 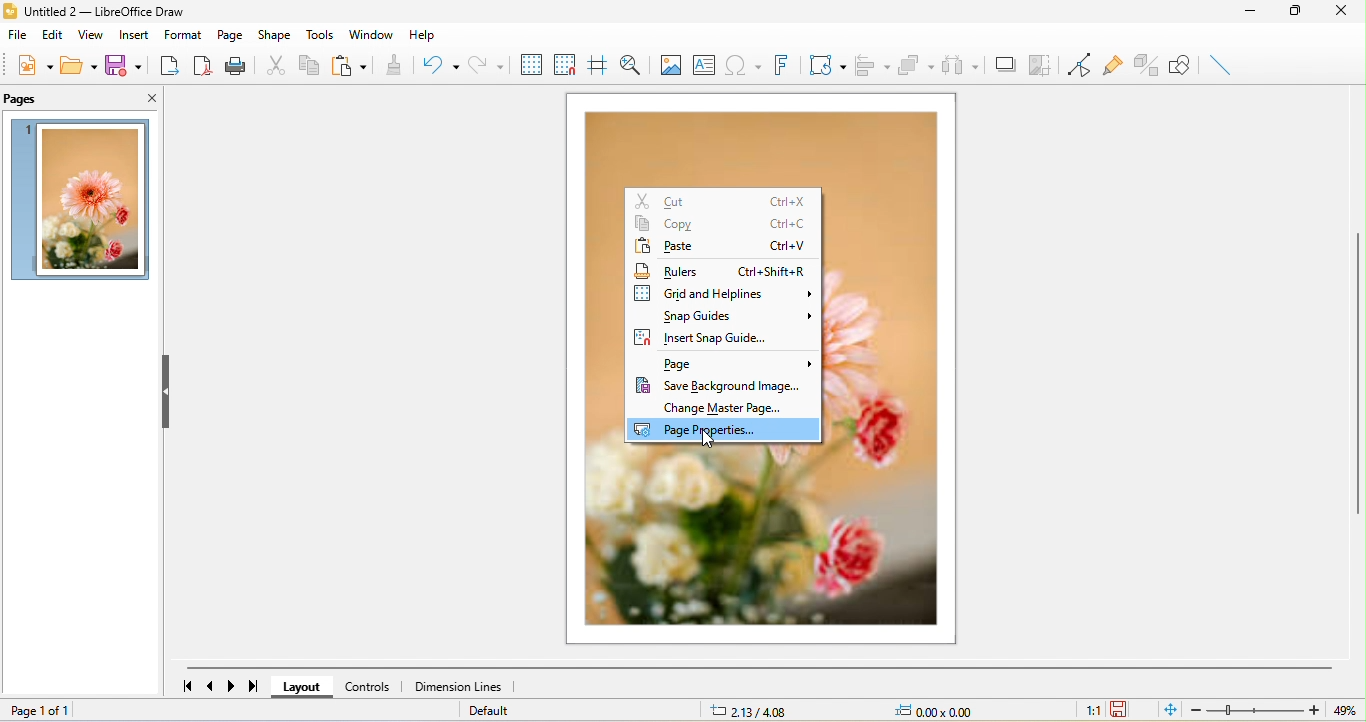 What do you see at coordinates (1221, 64) in the screenshot?
I see `insert line` at bounding box center [1221, 64].